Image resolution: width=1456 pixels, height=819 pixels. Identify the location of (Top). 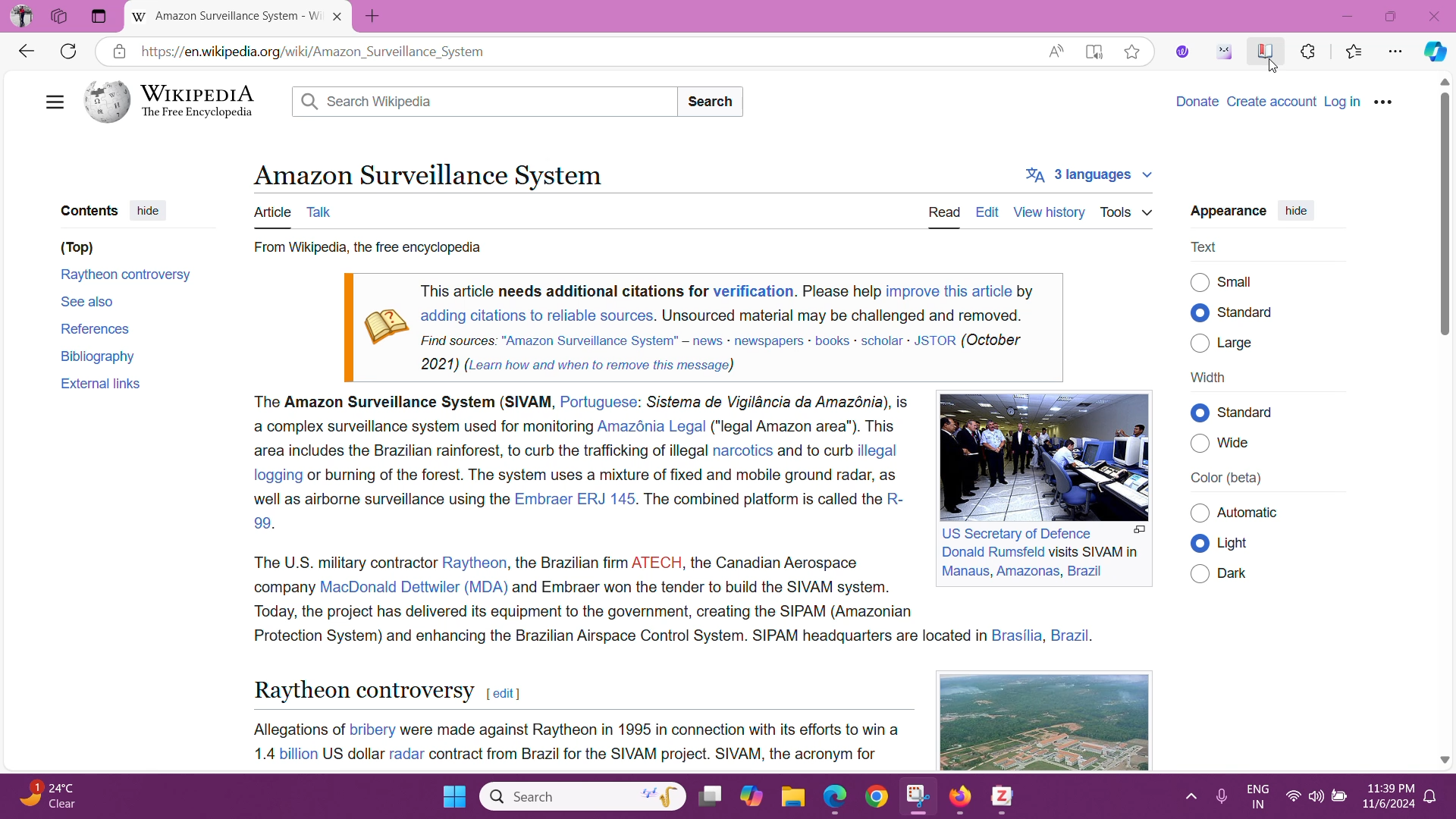
(77, 248).